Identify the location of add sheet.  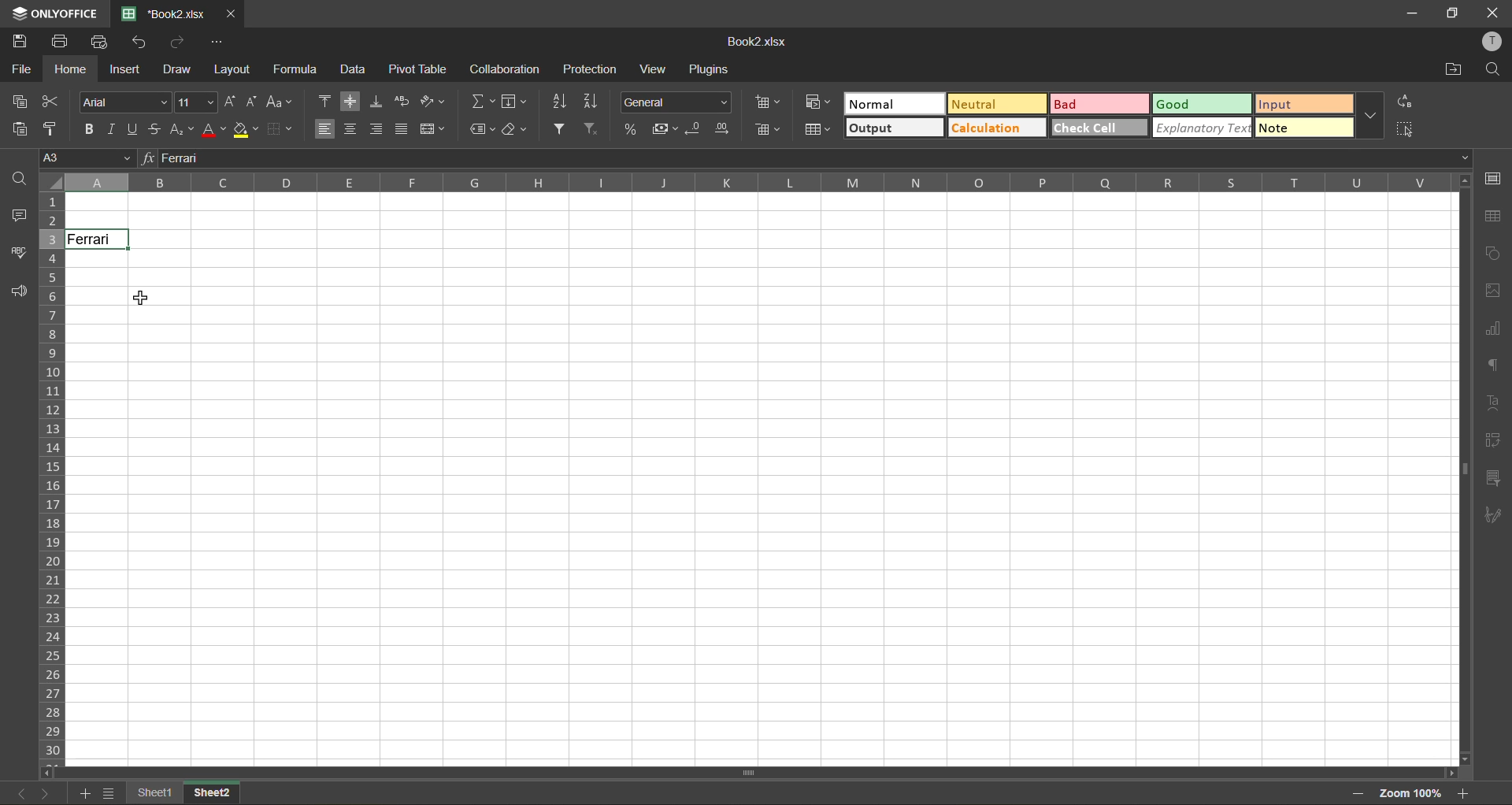
(82, 793).